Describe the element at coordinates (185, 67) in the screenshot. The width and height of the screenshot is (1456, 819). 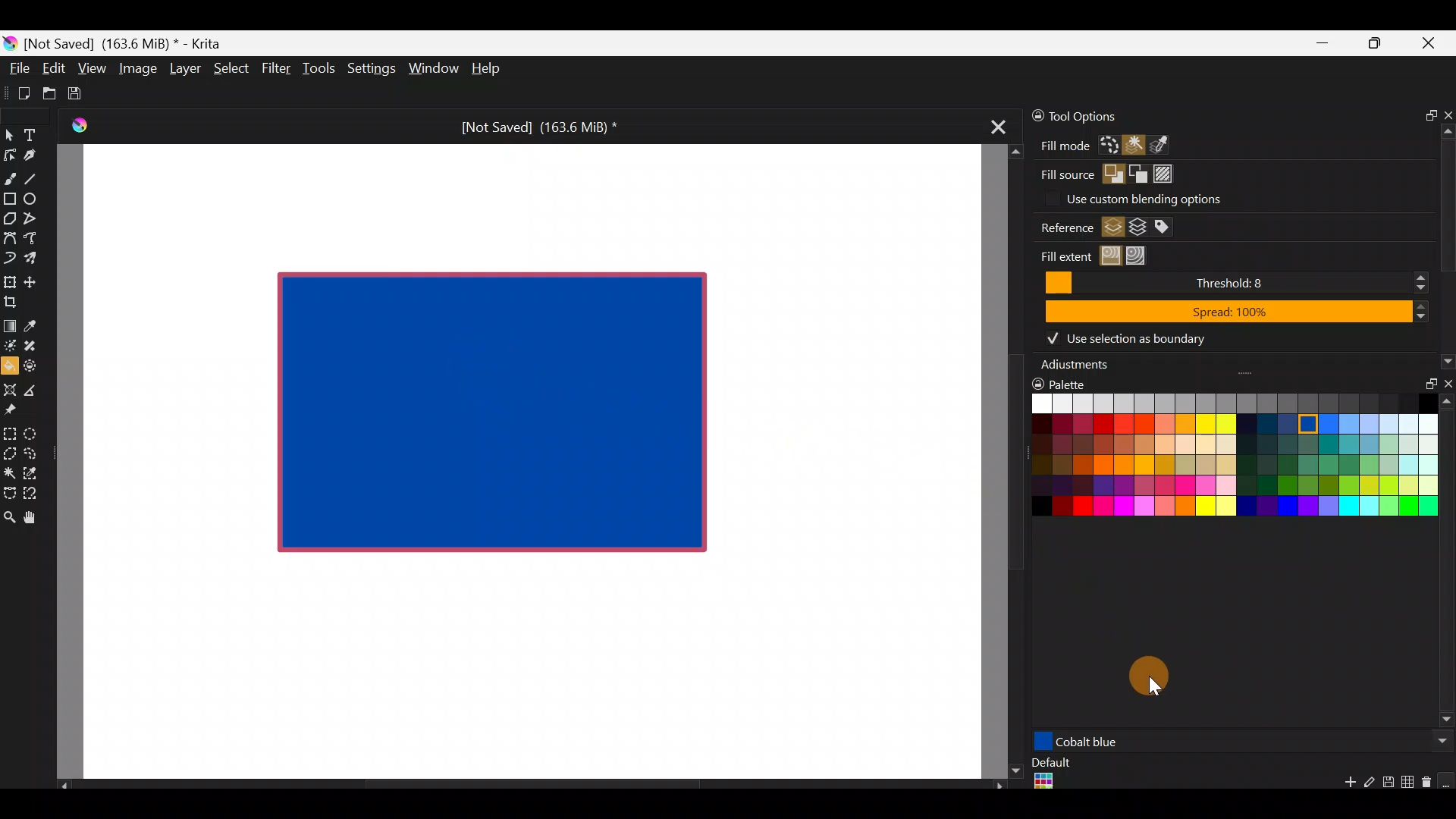
I see `Layer` at that location.